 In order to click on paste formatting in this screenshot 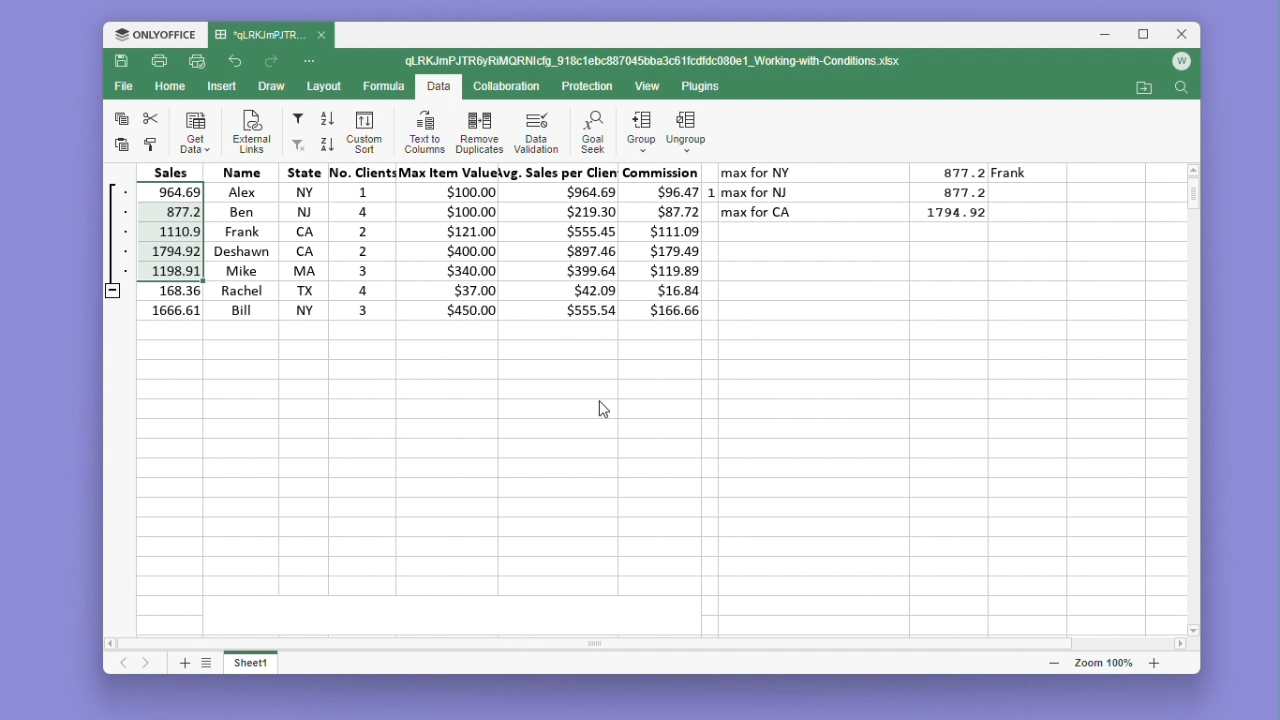, I will do `click(151, 145)`.